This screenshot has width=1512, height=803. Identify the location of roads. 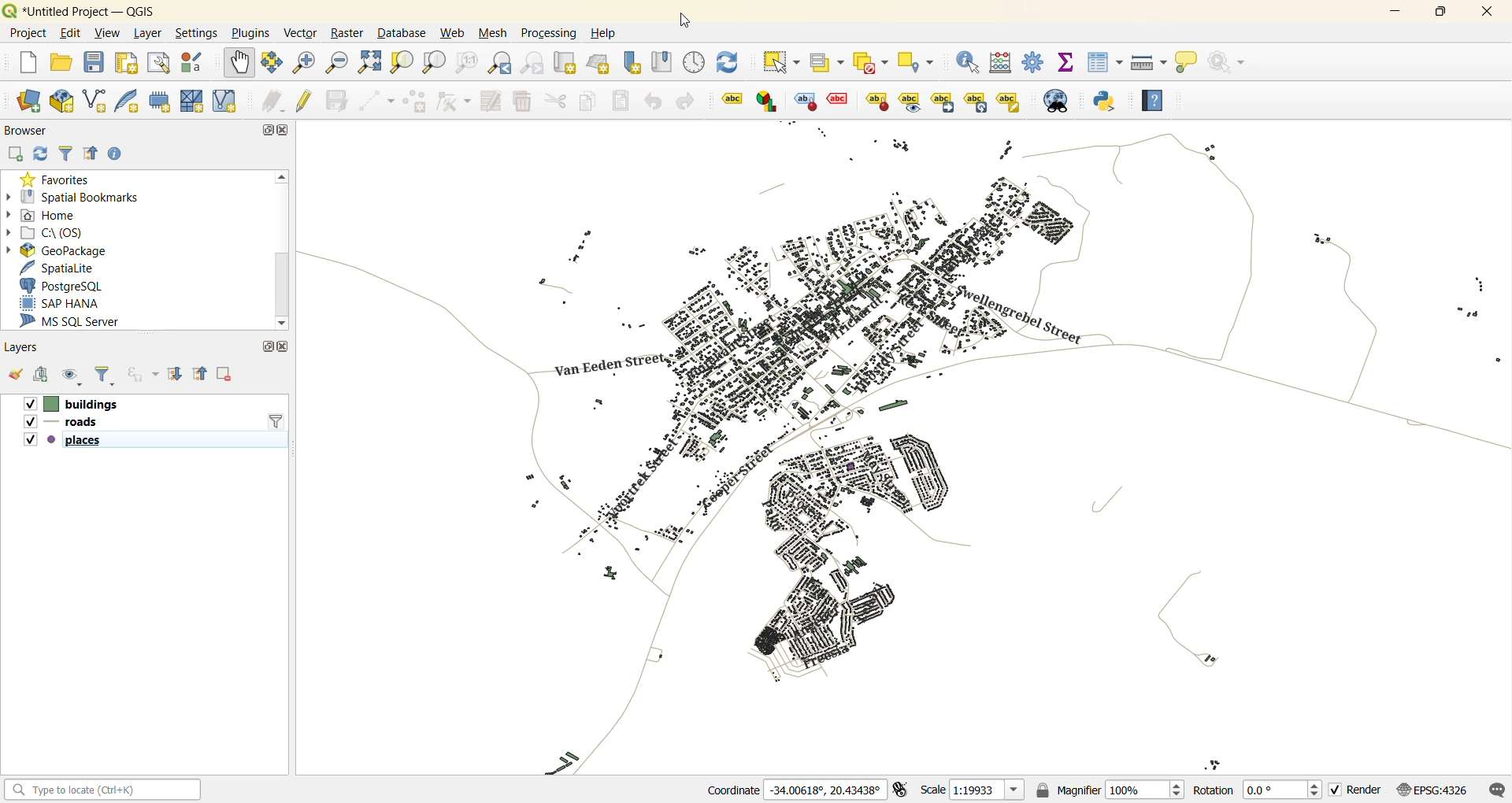
(61, 424).